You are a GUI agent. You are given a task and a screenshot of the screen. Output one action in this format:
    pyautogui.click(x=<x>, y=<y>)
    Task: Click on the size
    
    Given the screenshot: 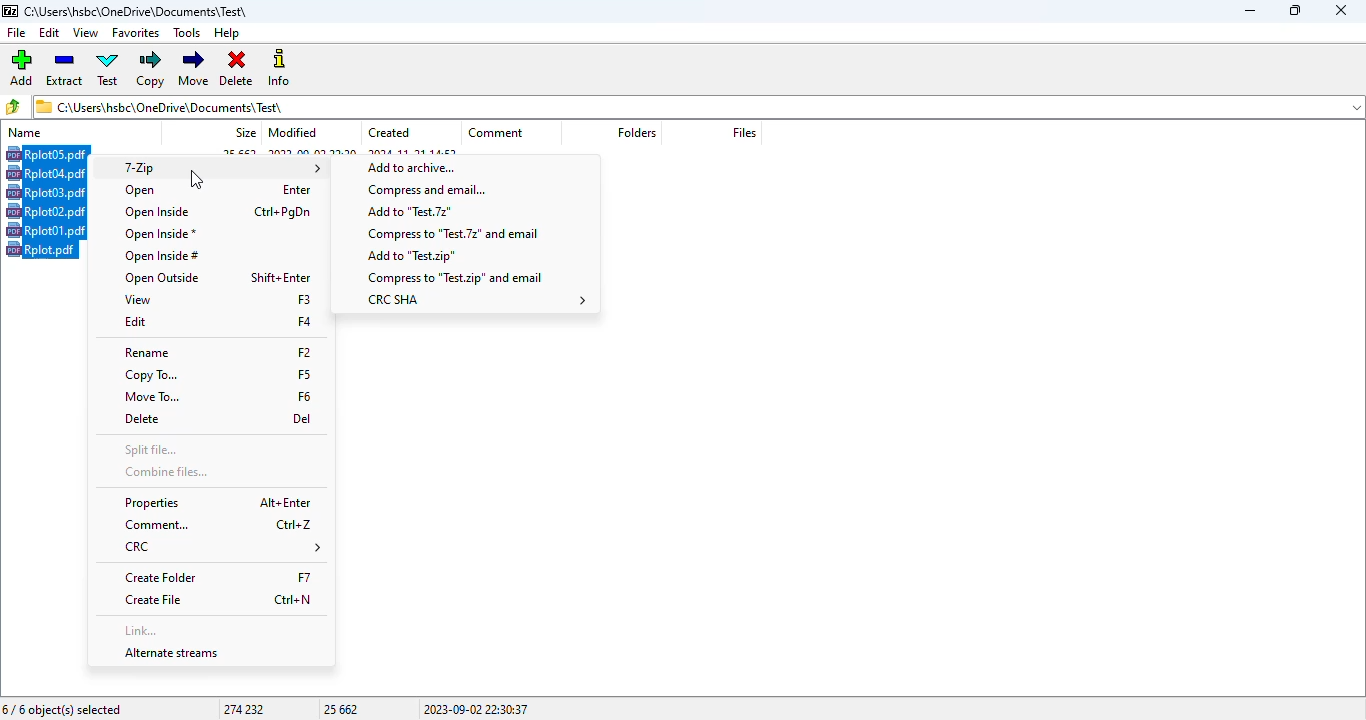 What is the action you would take?
    pyautogui.click(x=246, y=132)
    